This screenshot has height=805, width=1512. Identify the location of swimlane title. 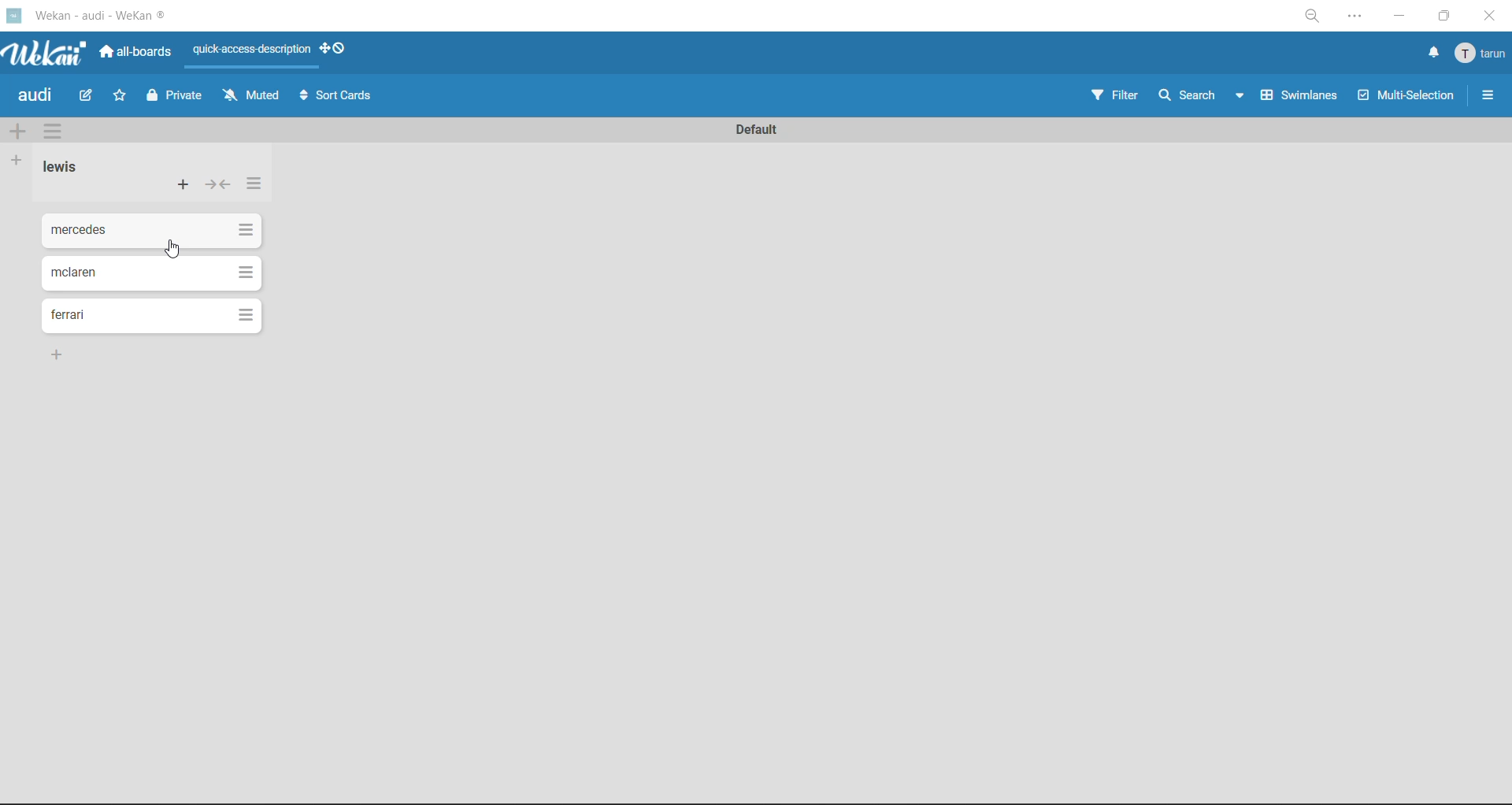
(750, 129).